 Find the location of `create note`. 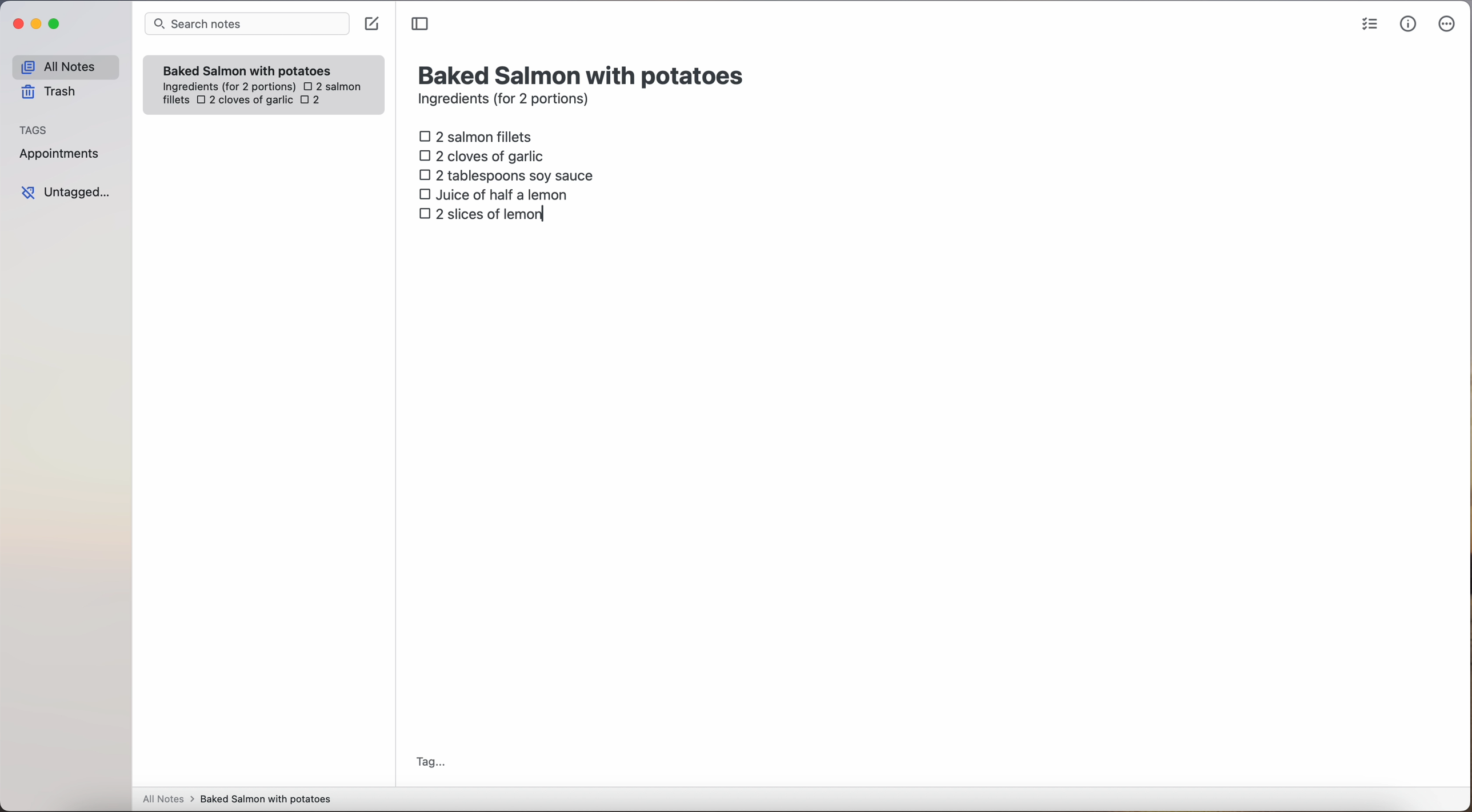

create note is located at coordinates (371, 24).